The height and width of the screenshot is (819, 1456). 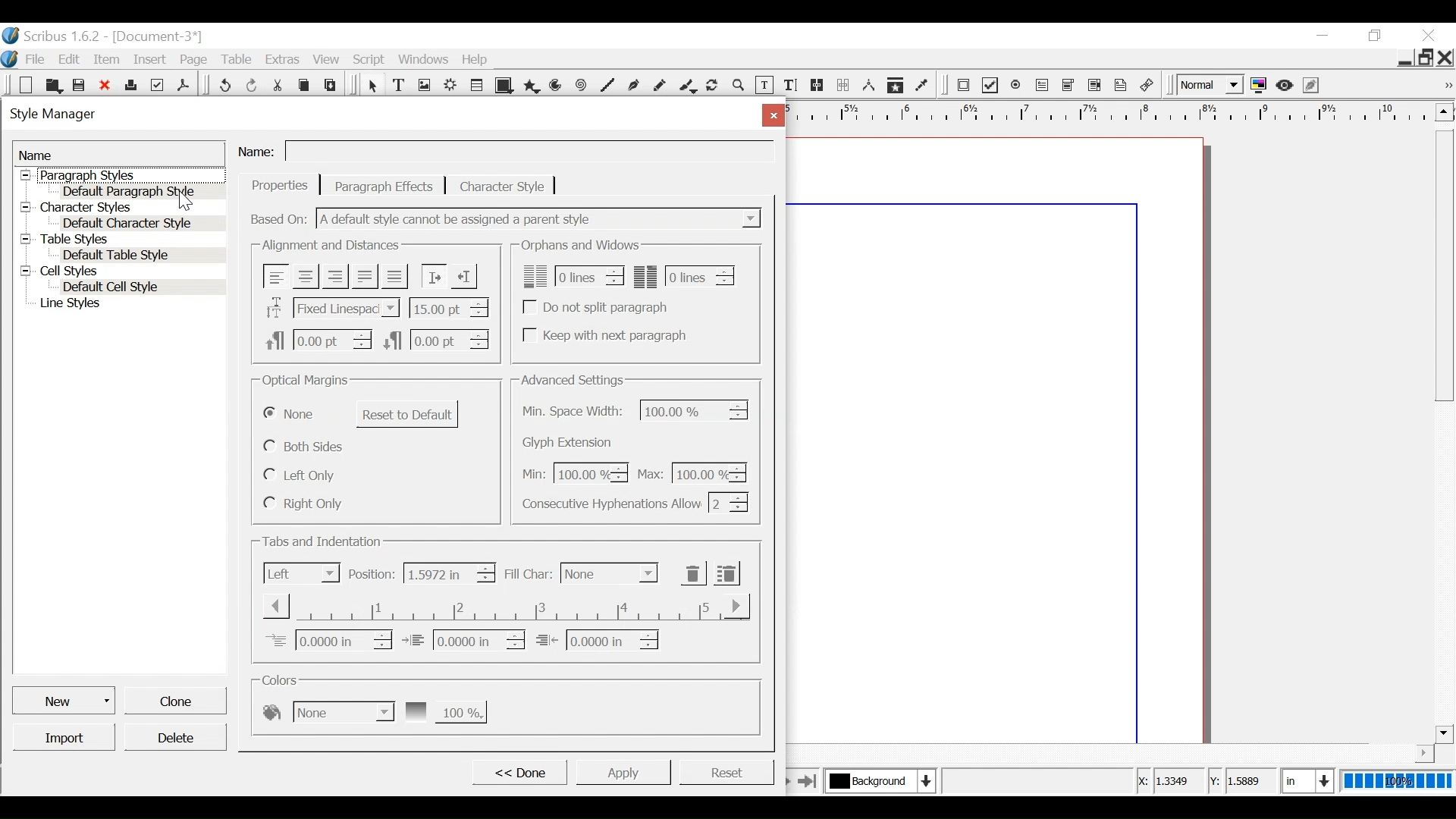 What do you see at coordinates (302, 573) in the screenshot?
I see `Type or orientation of the tab` at bounding box center [302, 573].